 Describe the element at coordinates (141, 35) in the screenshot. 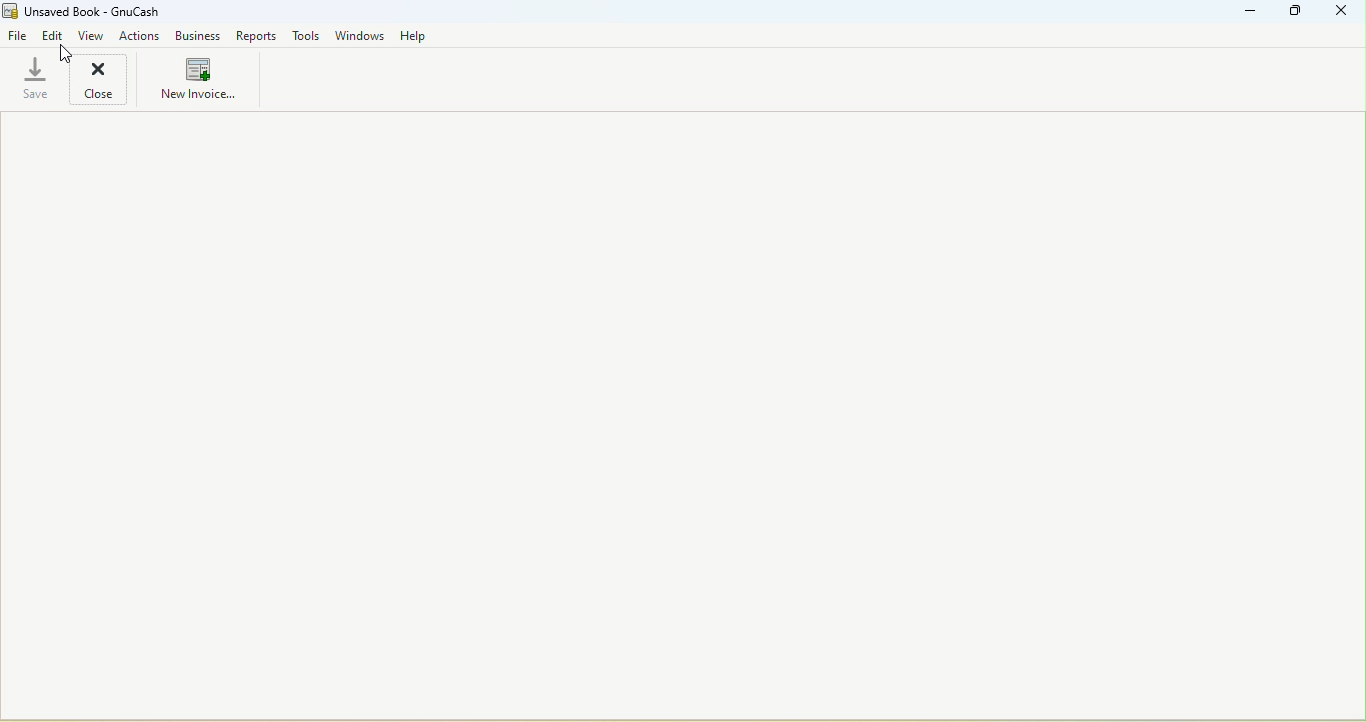

I see `Actions` at that location.